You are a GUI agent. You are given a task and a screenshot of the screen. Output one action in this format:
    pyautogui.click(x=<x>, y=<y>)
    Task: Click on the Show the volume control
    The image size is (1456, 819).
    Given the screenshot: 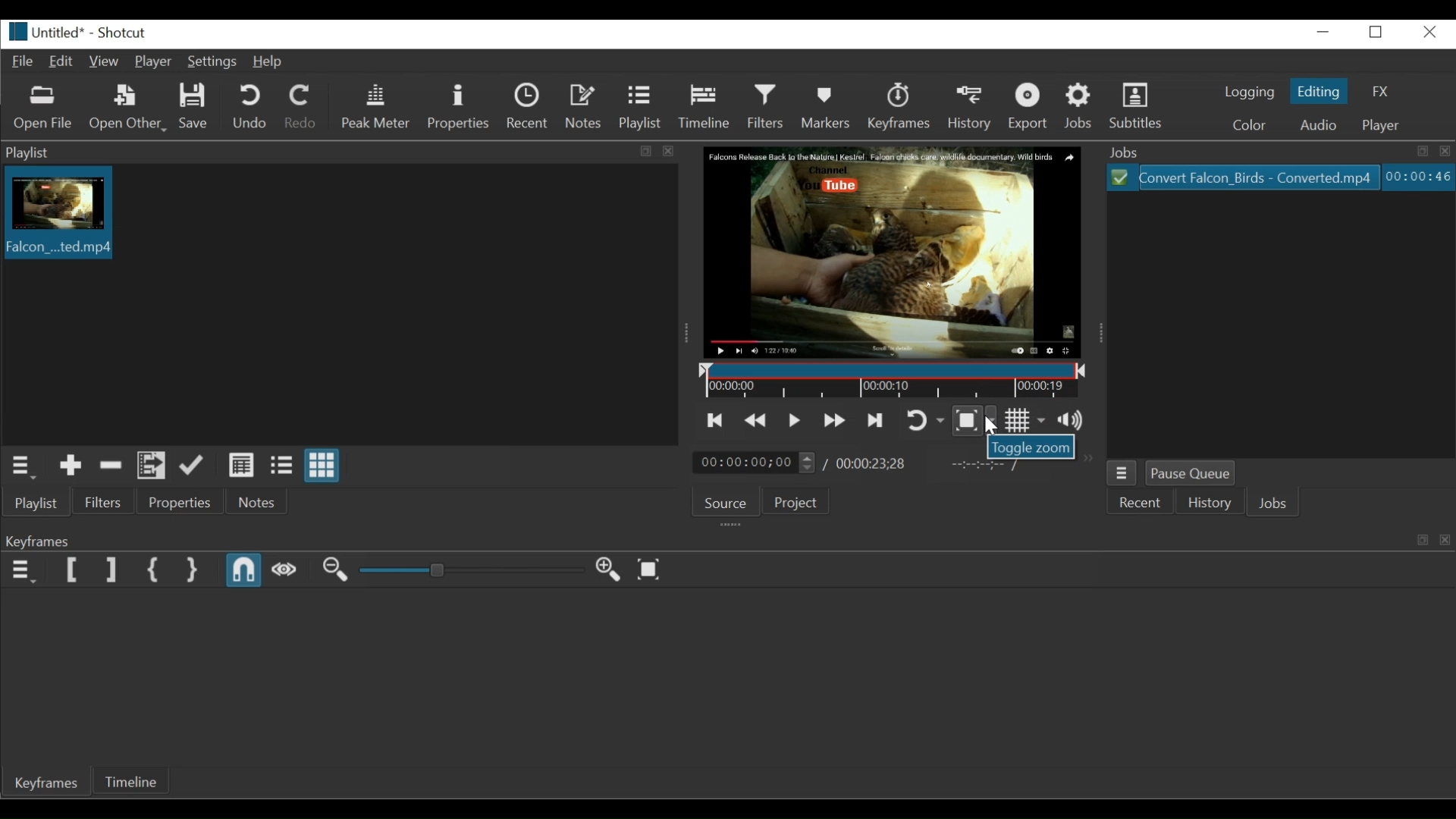 What is the action you would take?
    pyautogui.click(x=1079, y=419)
    